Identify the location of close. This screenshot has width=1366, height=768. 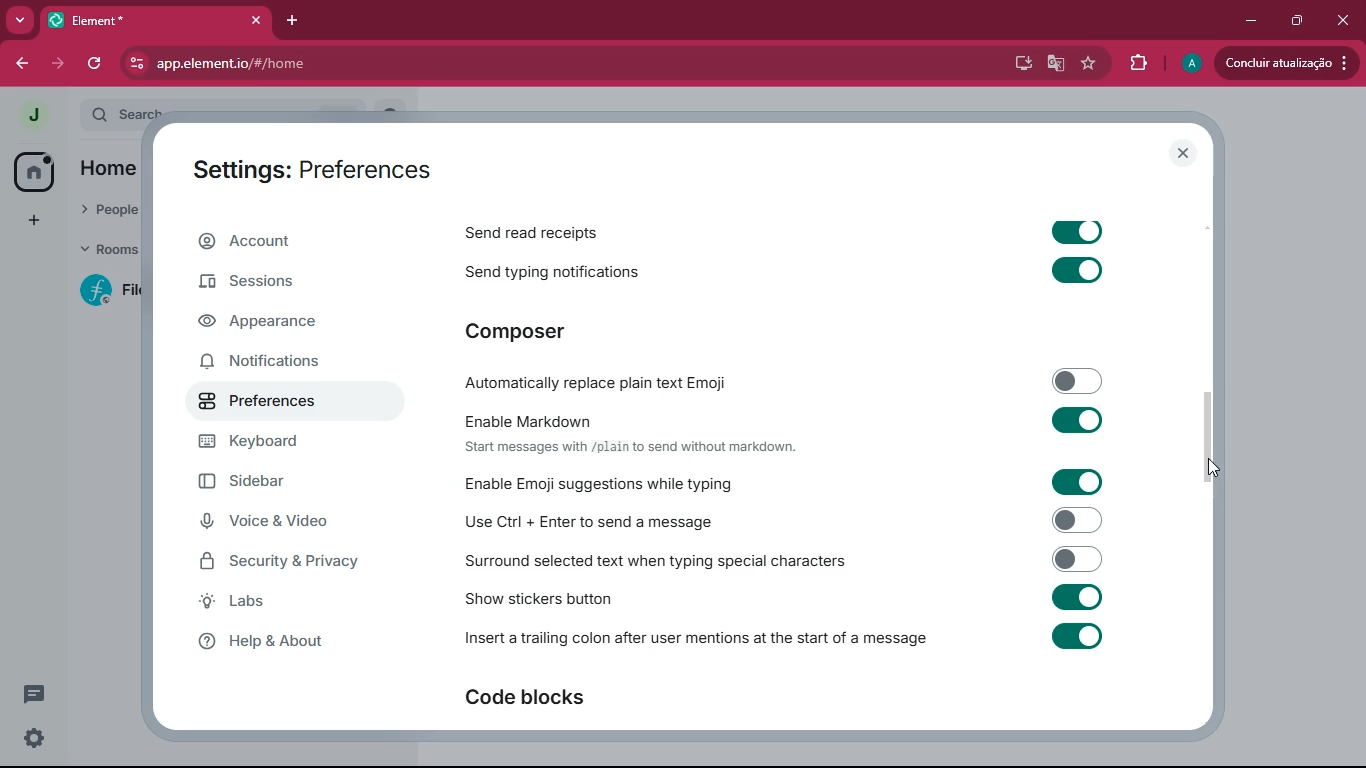
(1345, 21).